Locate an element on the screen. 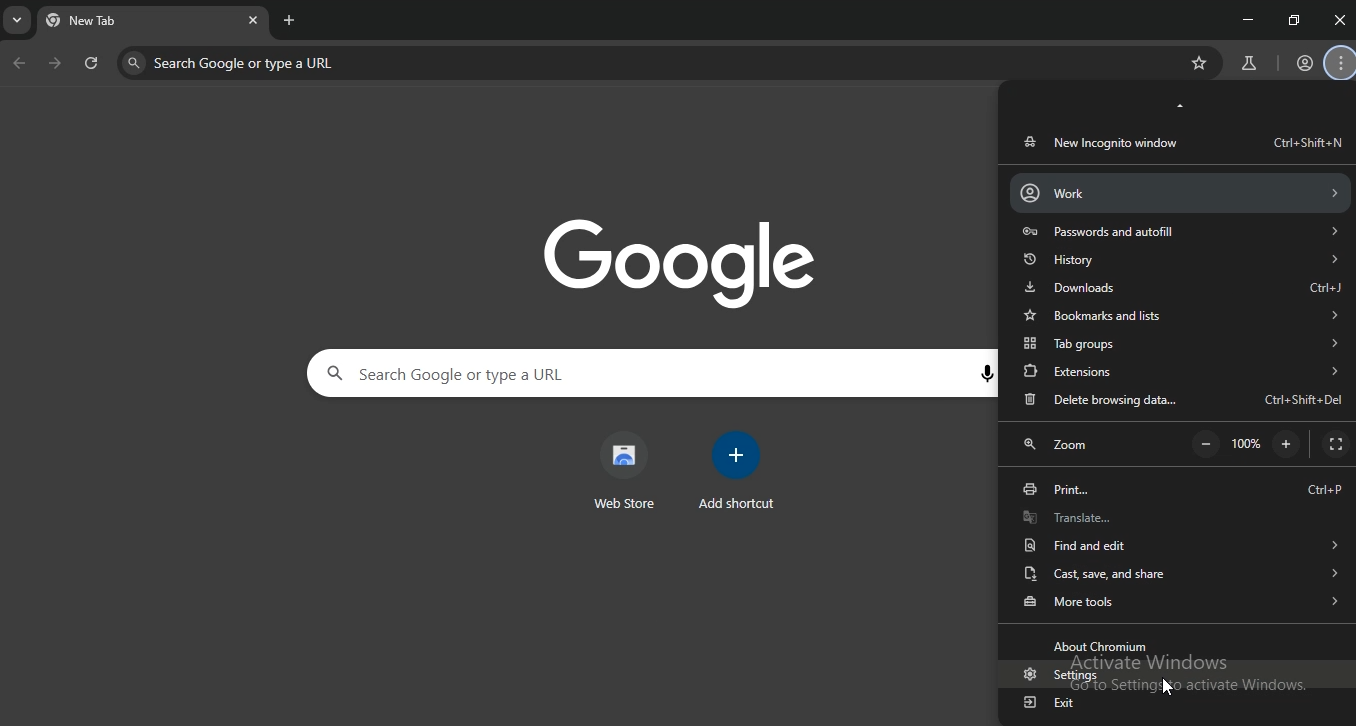 The width and height of the screenshot is (1356, 726). text is located at coordinates (1104, 646).